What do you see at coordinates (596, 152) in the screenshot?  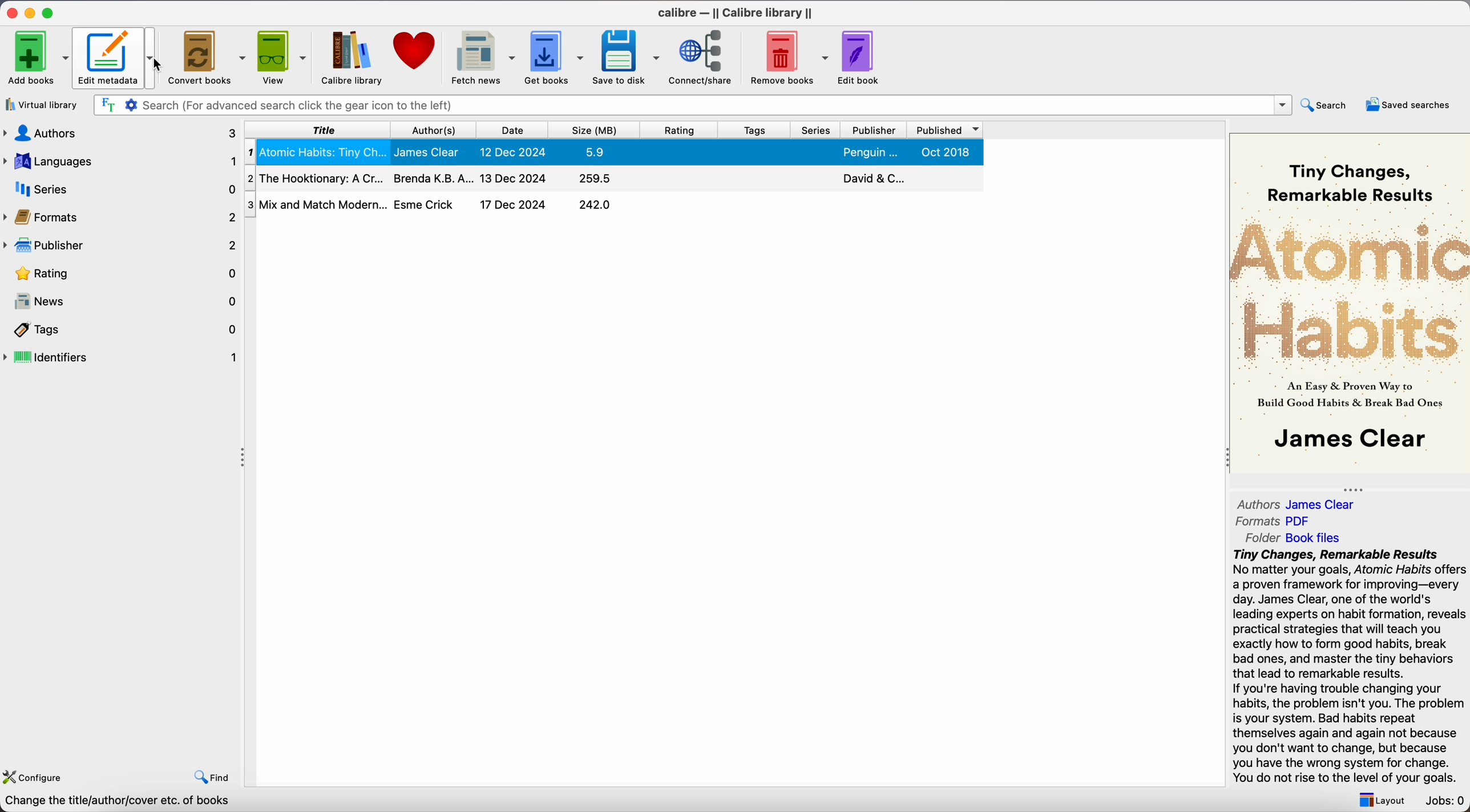 I see `5.9` at bounding box center [596, 152].